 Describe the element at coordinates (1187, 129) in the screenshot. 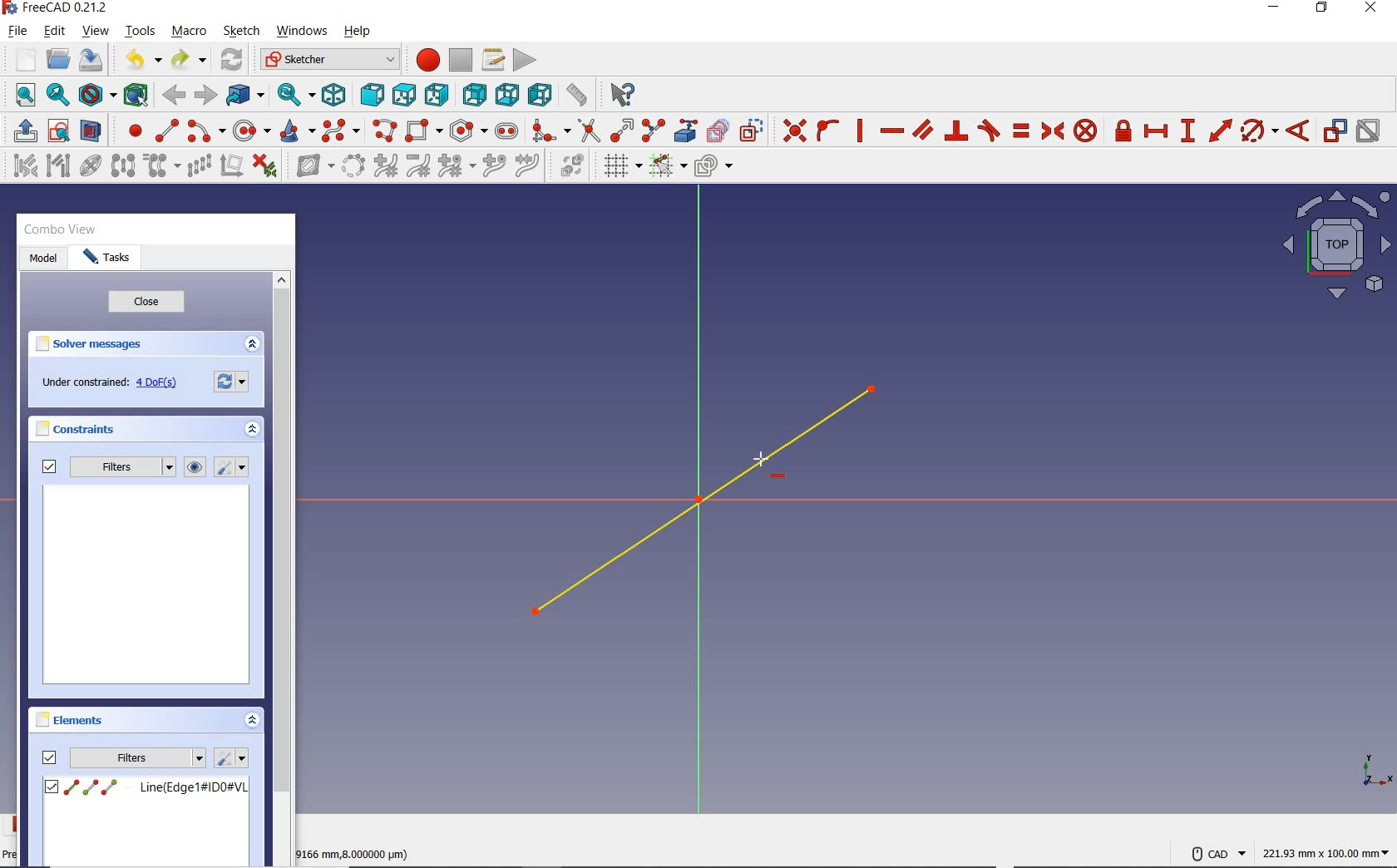

I see `CONSTRAIN VERTICAL DISTANCE` at that location.